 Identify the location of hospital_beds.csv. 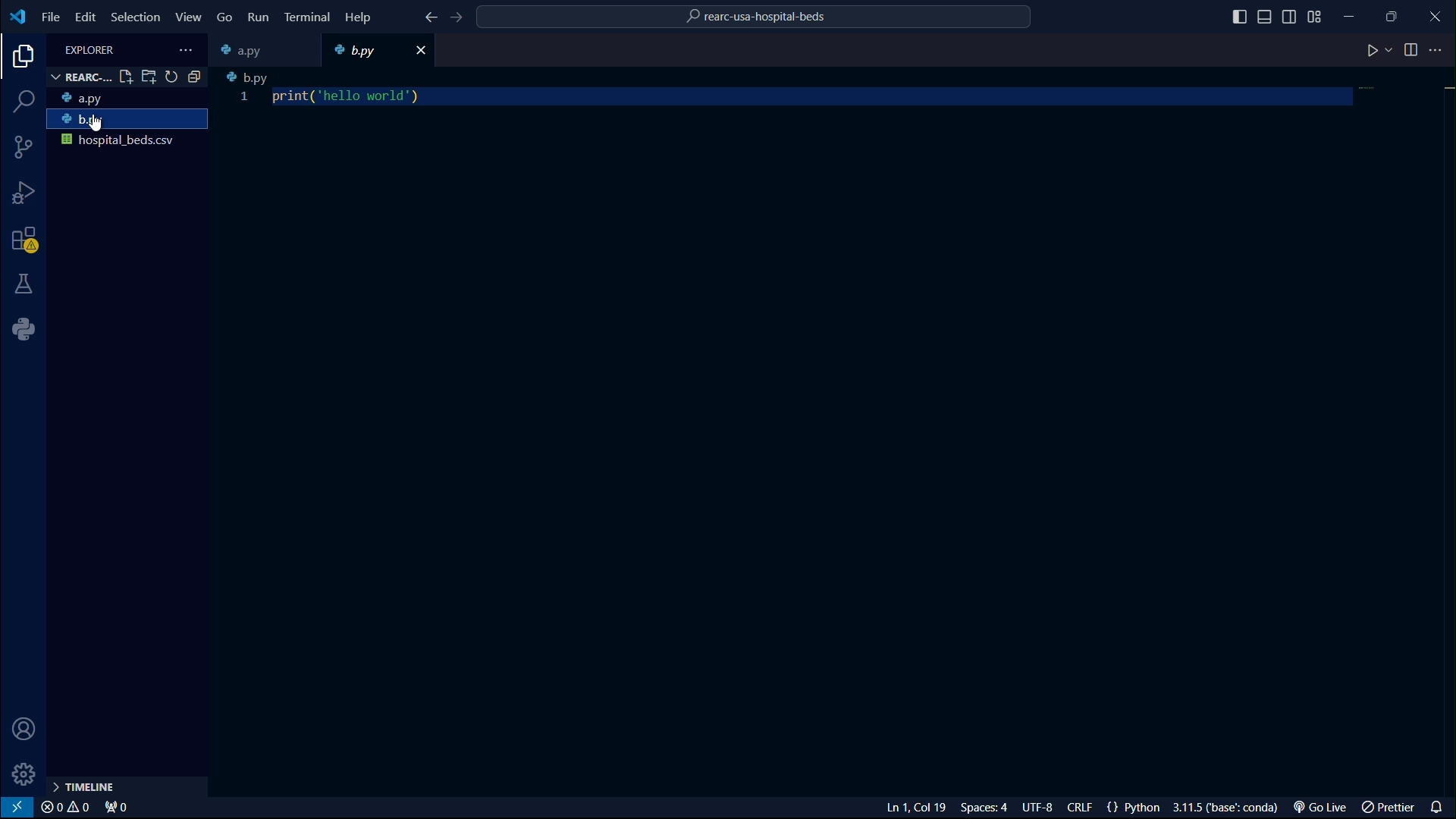
(123, 142).